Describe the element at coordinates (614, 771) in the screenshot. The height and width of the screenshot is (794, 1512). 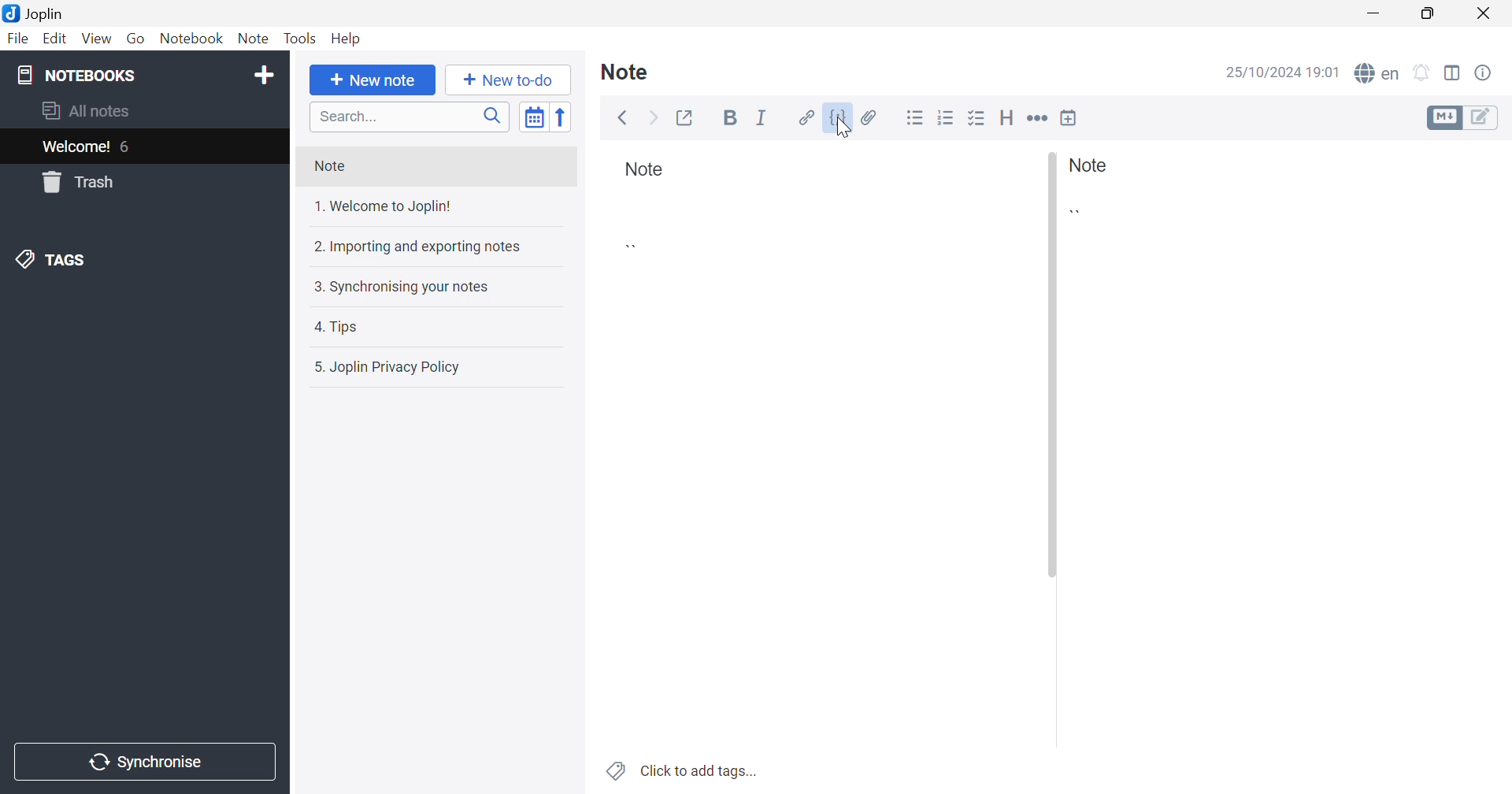
I see `Tags` at that location.